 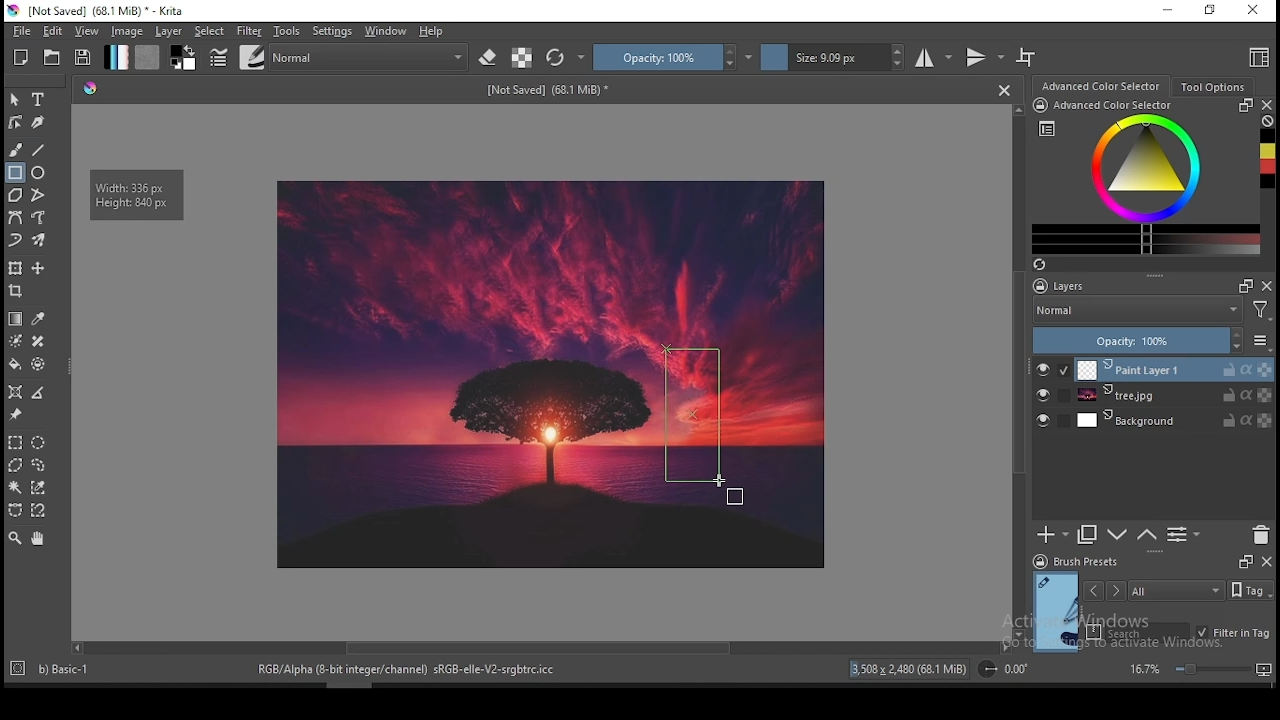 What do you see at coordinates (1175, 421) in the screenshot?
I see `layer` at bounding box center [1175, 421].